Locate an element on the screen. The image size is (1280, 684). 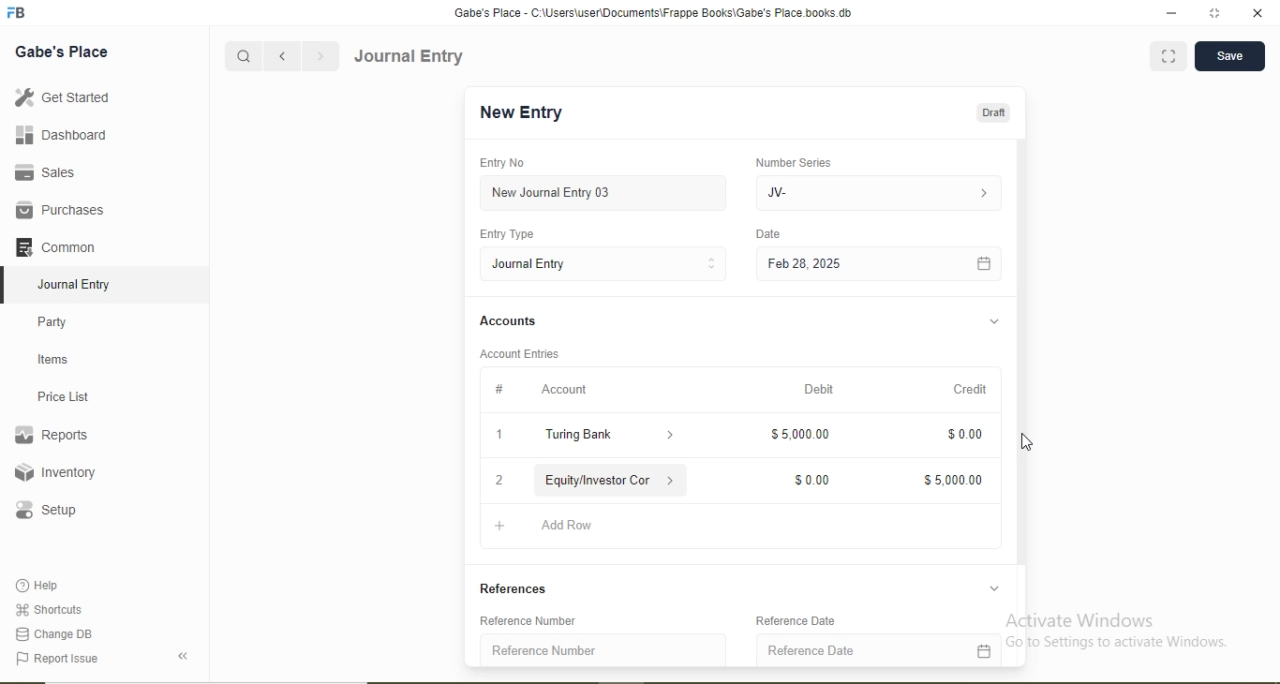
Reference Number is located at coordinates (544, 650).